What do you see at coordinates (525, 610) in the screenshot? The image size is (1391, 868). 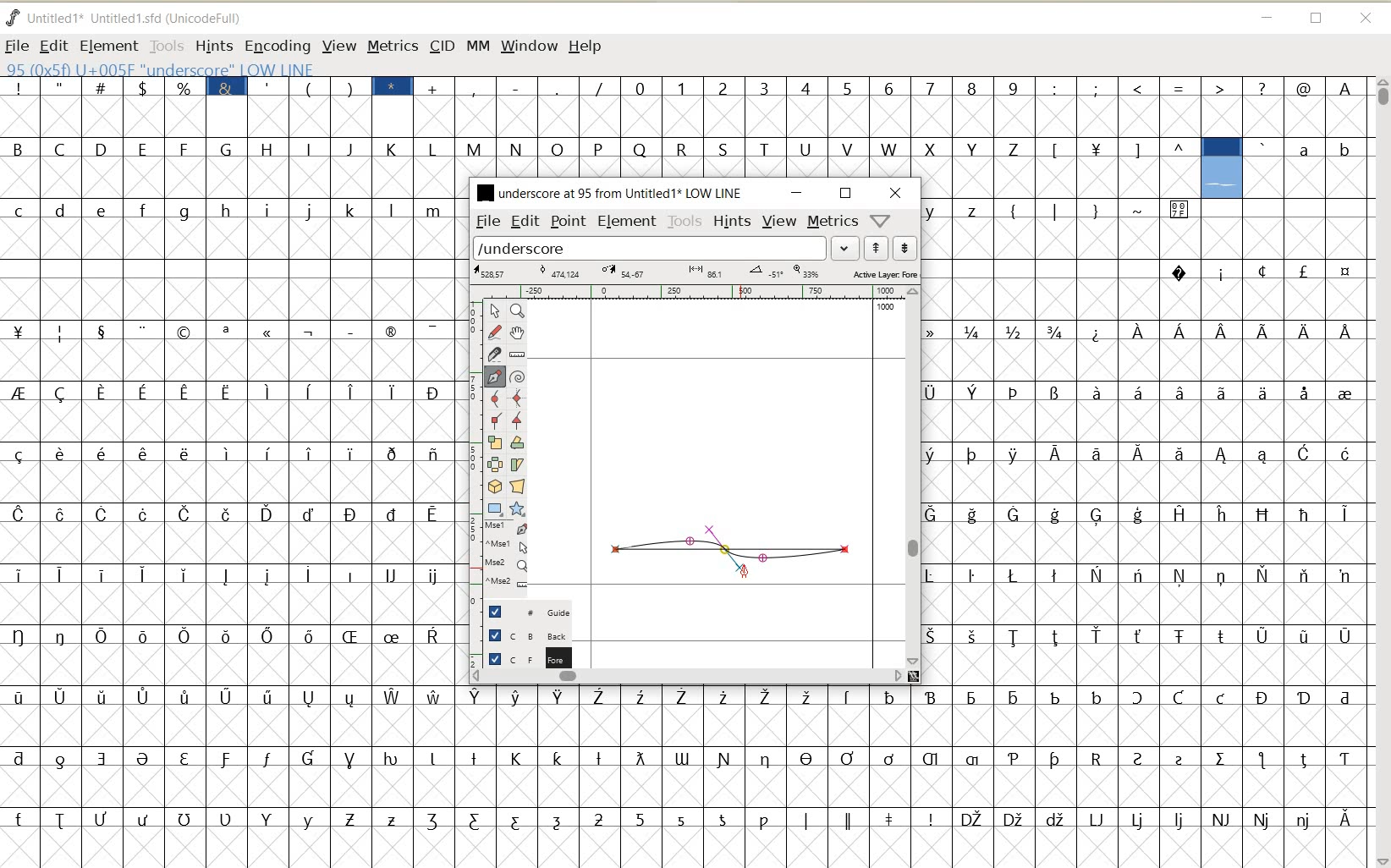 I see `GUIDE` at bounding box center [525, 610].